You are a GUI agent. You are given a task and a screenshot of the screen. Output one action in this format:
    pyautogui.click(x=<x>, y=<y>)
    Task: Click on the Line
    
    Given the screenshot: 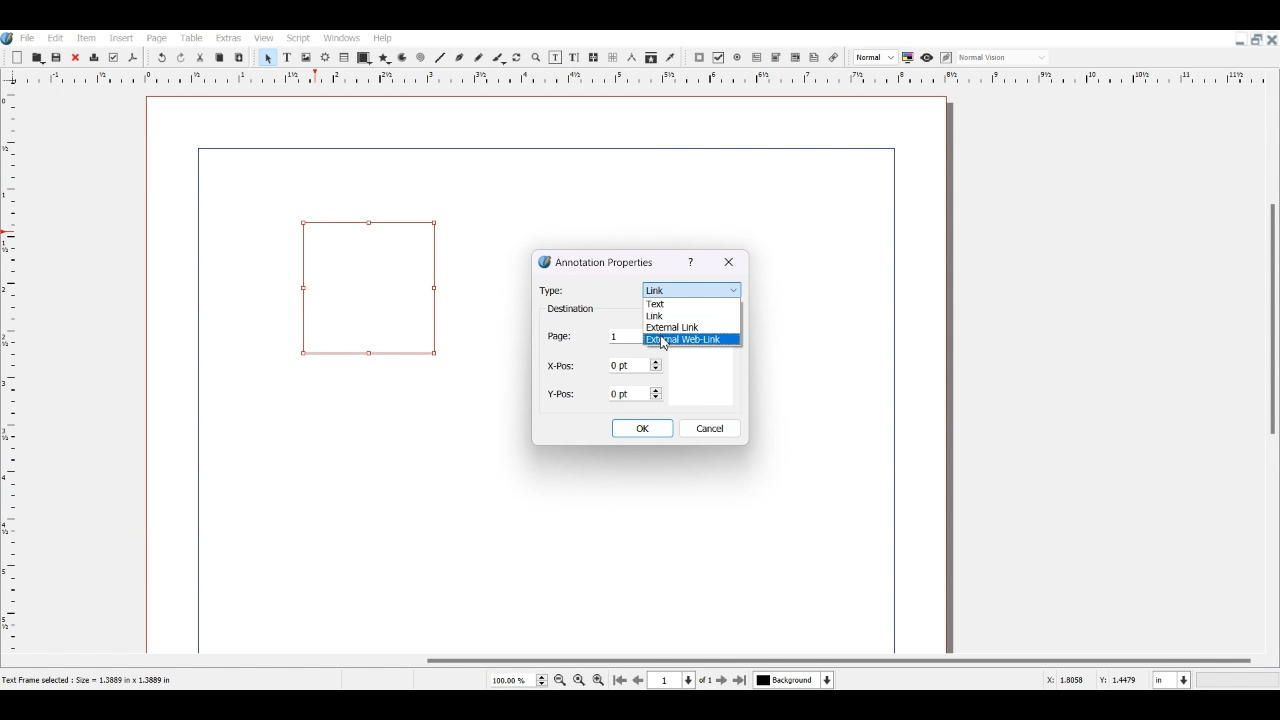 What is the action you would take?
    pyautogui.click(x=440, y=57)
    